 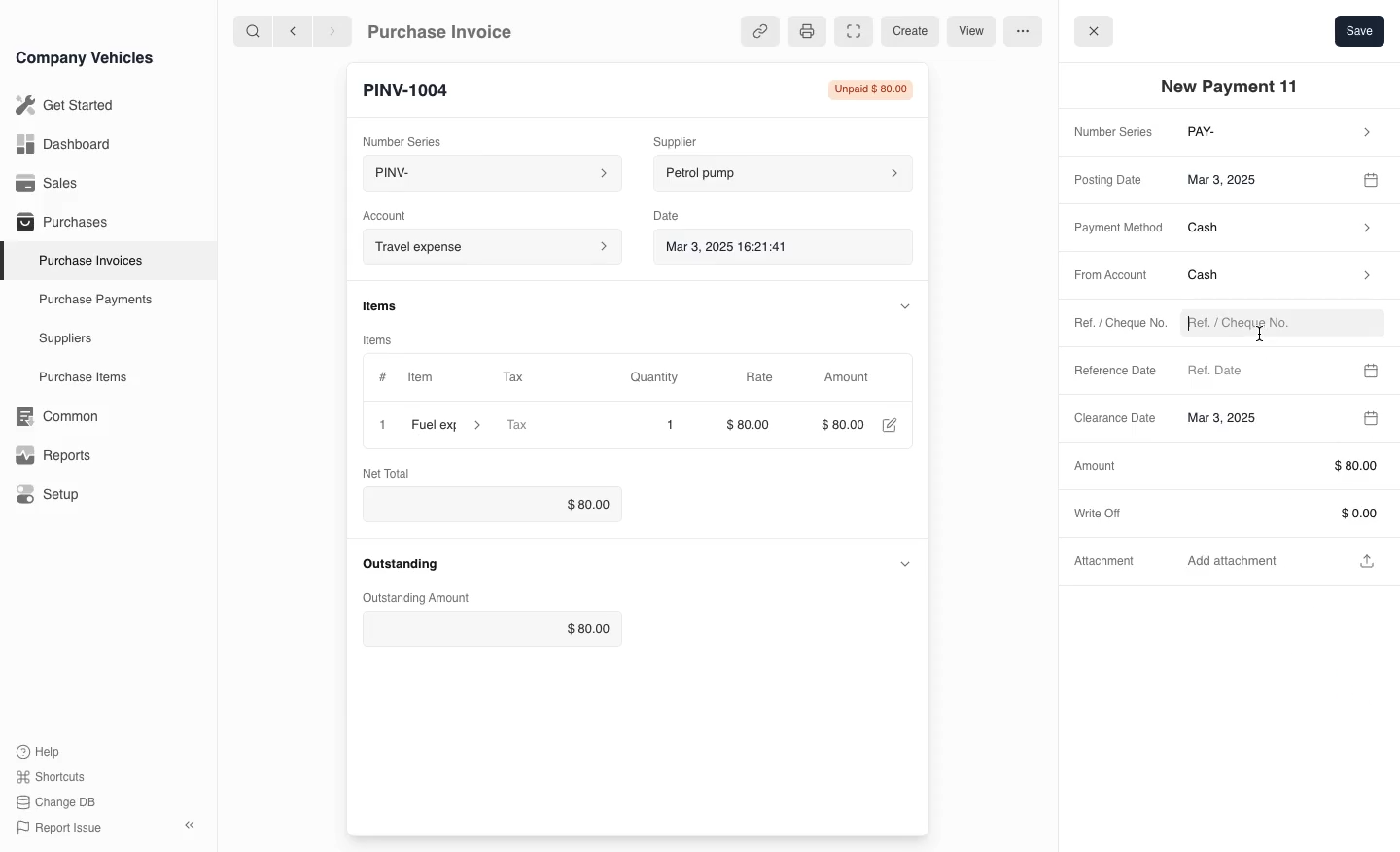 I want to click on Ref. / Cheque No, so click(x=1110, y=325).